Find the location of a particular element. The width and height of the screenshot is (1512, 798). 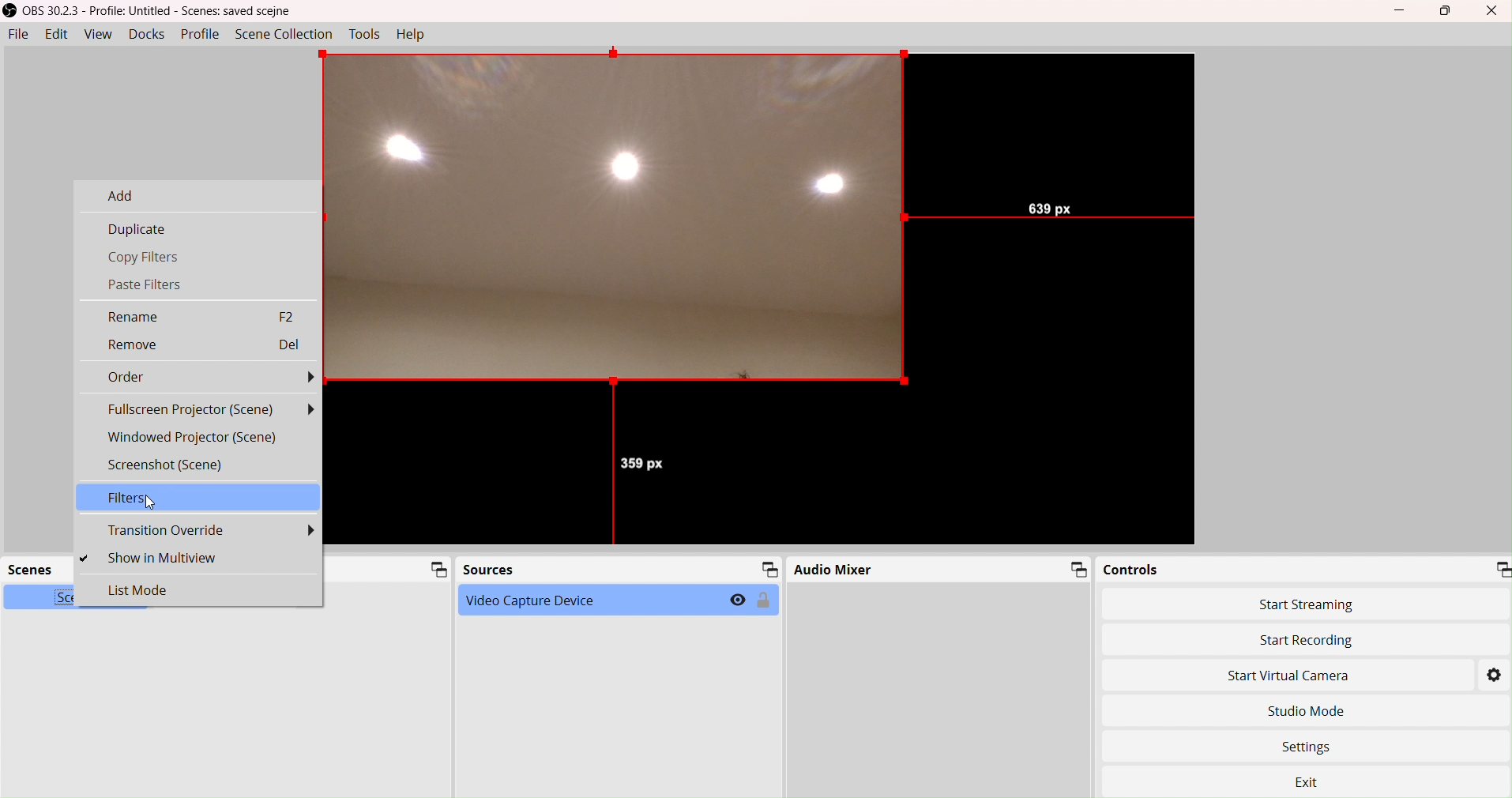

Close is located at coordinates (1491, 10).